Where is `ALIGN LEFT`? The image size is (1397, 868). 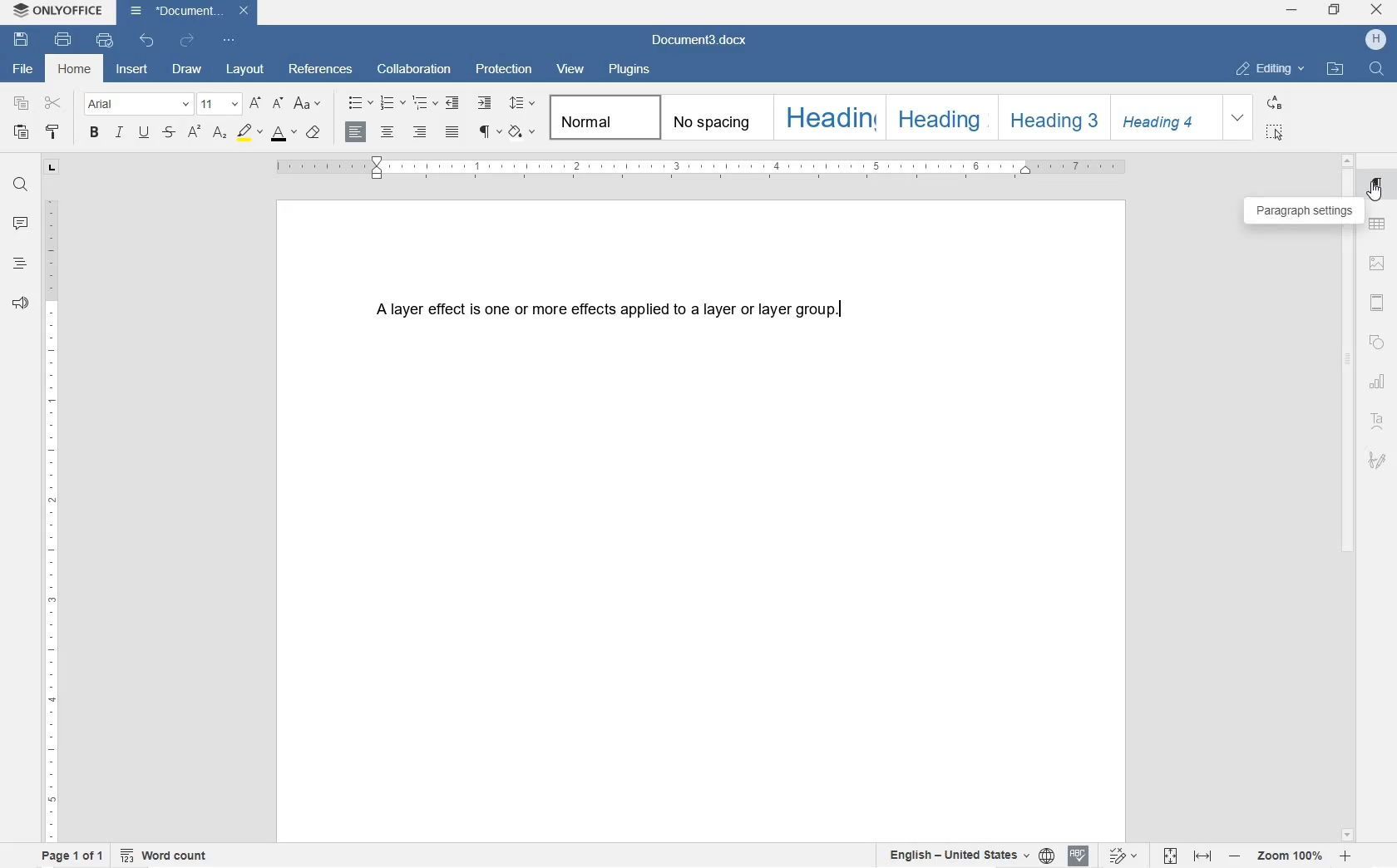 ALIGN LEFT is located at coordinates (358, 131).